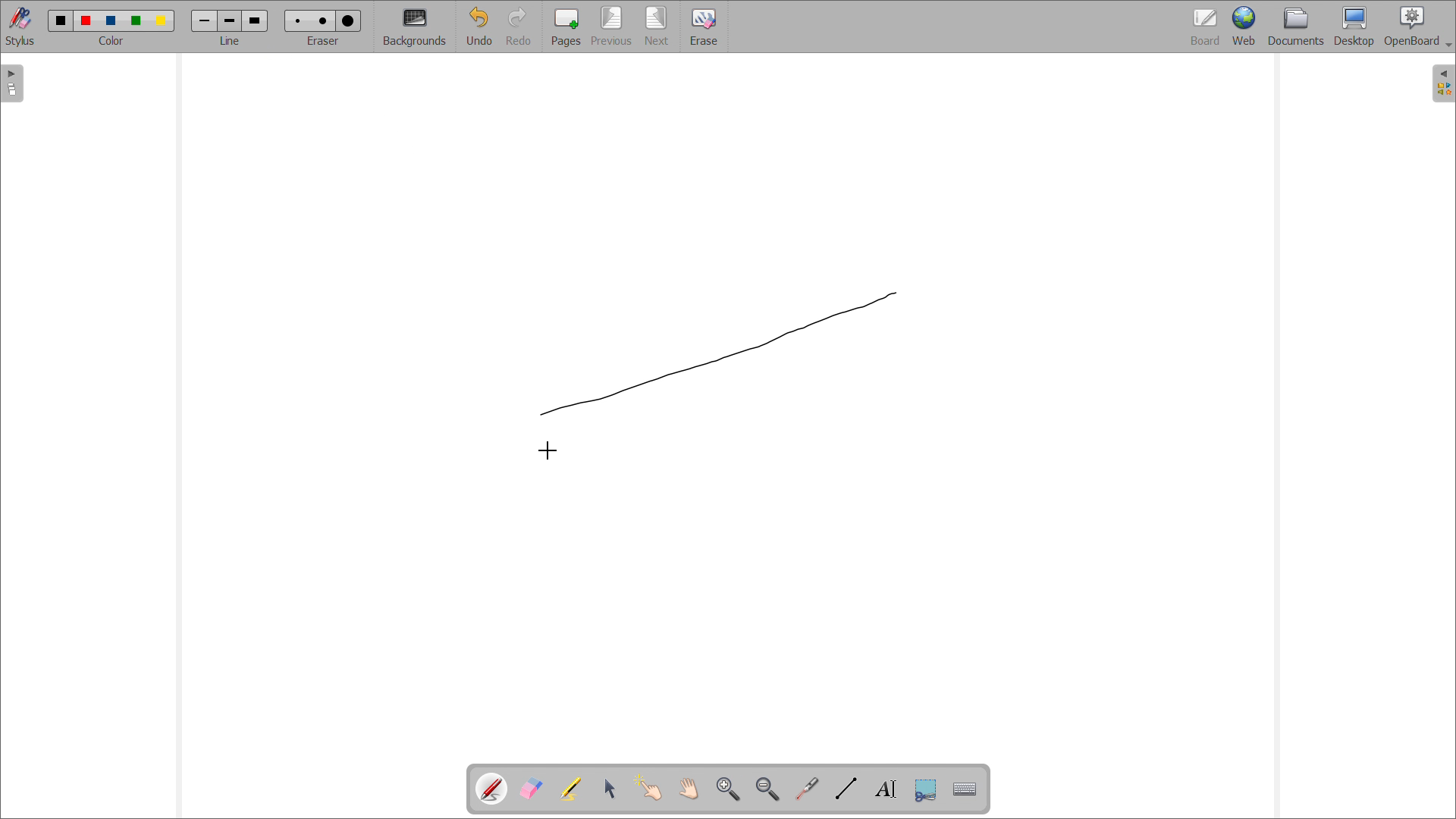  What do you see at coordinates (729, 789) in the screenshot?
I see `zoom in` at bounding box center [729, 789].